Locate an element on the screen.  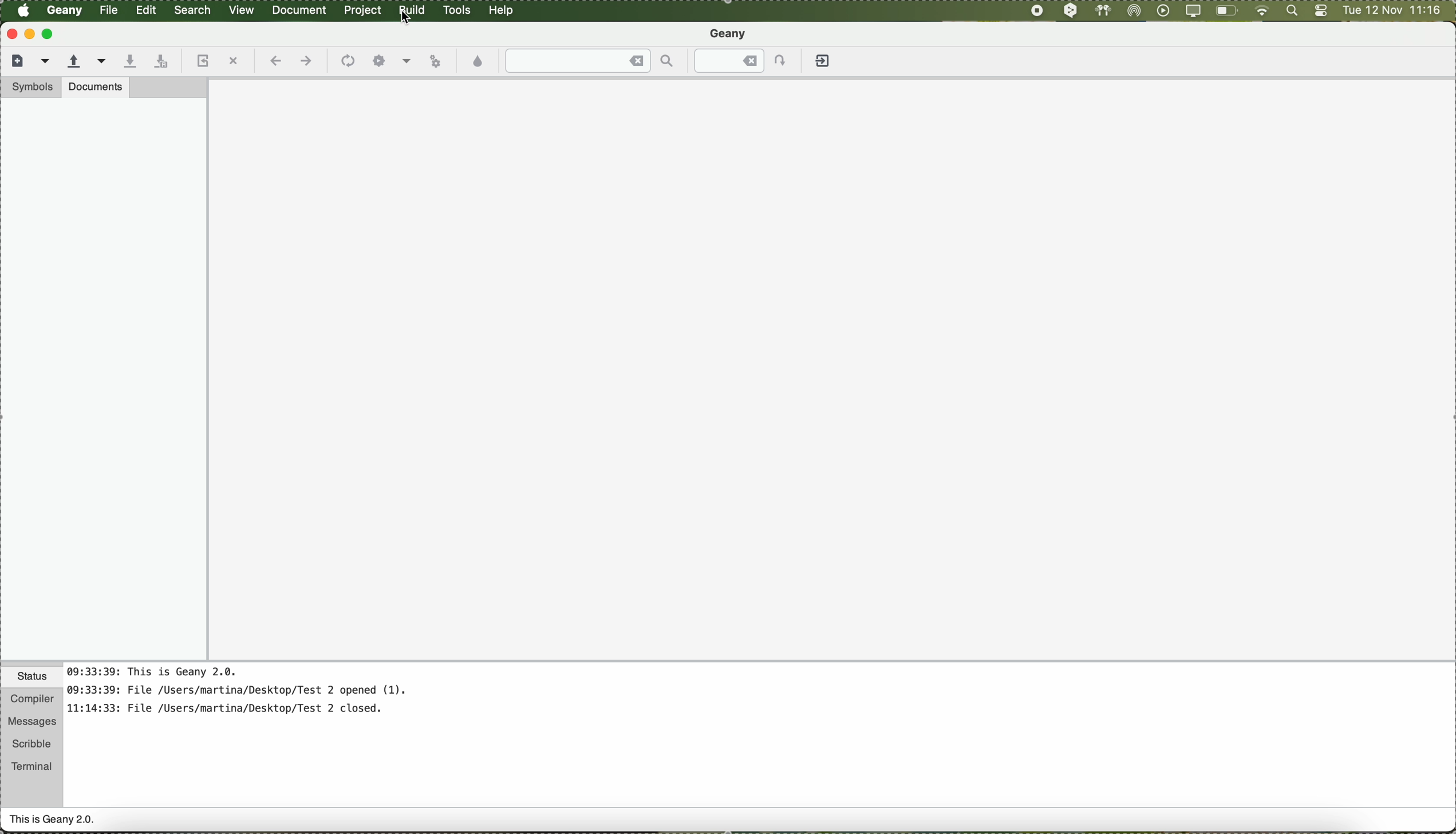
view is located at coordinates (242, 9).